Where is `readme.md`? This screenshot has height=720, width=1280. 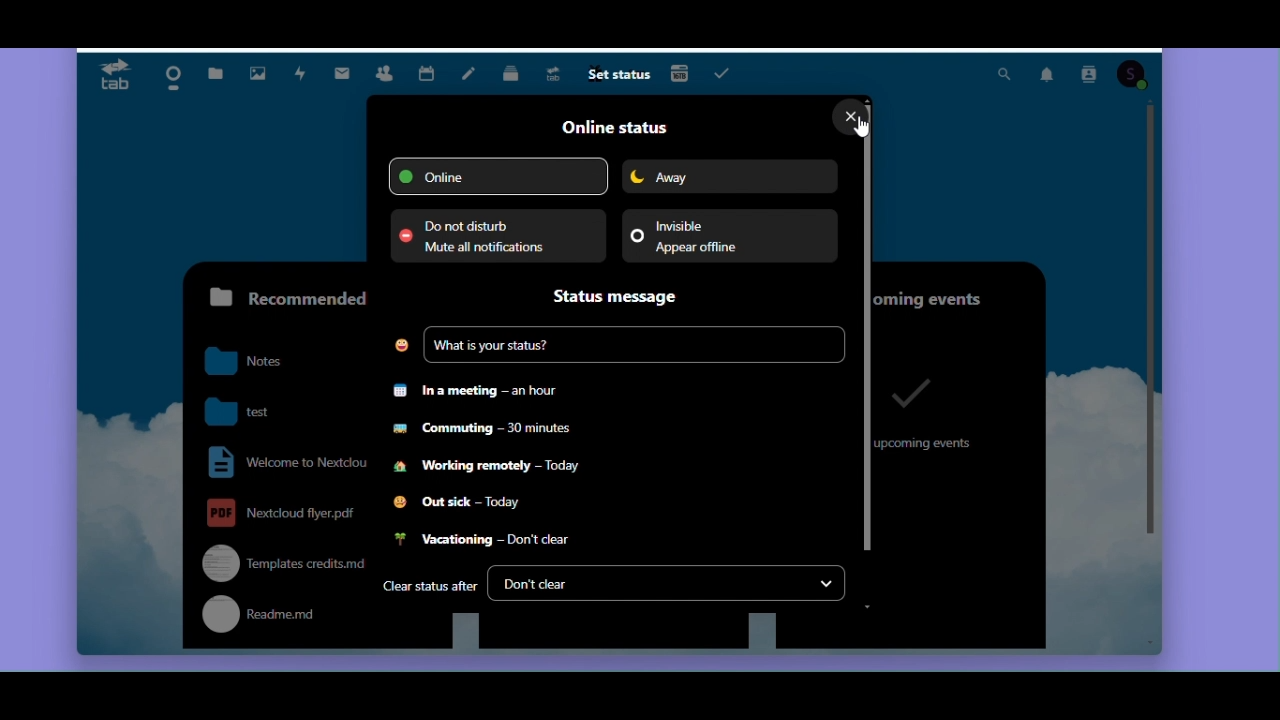
readme.md is located at coordinates (279, 617).